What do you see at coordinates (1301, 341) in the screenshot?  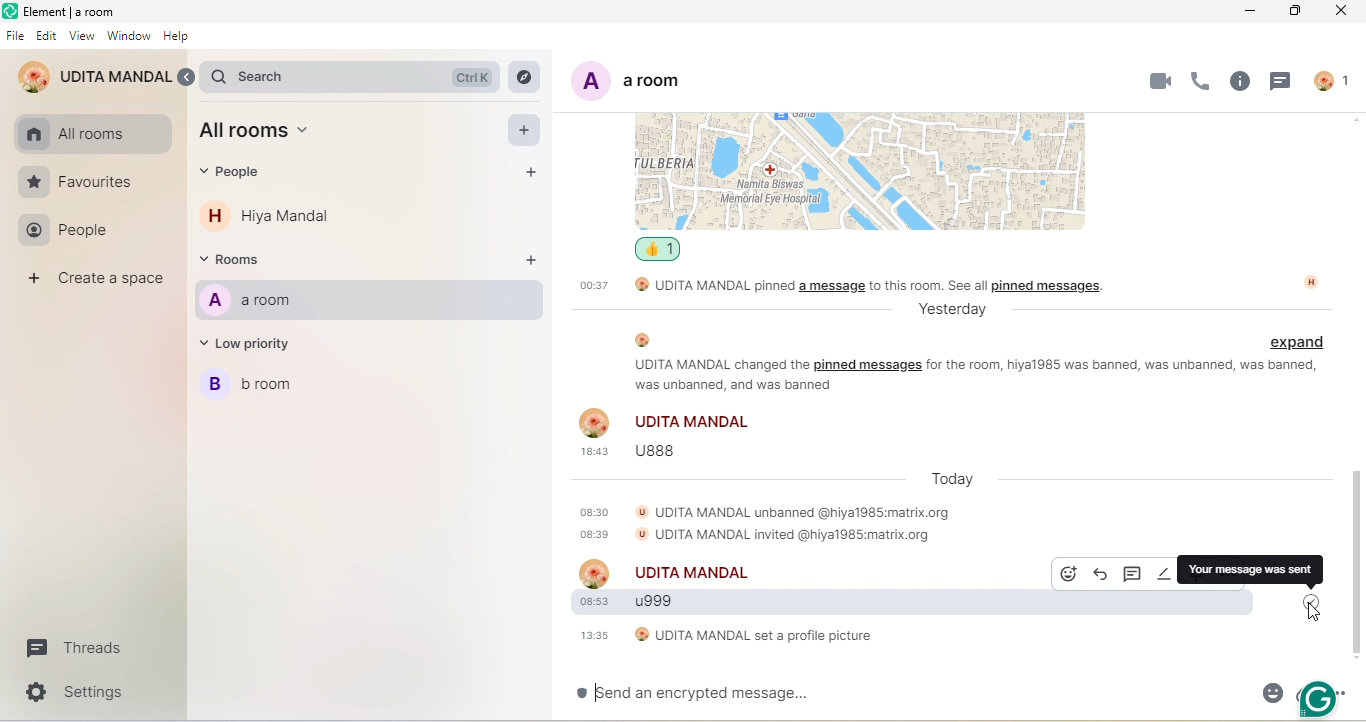 I see `Expand` at bounding box center [1301, 341].